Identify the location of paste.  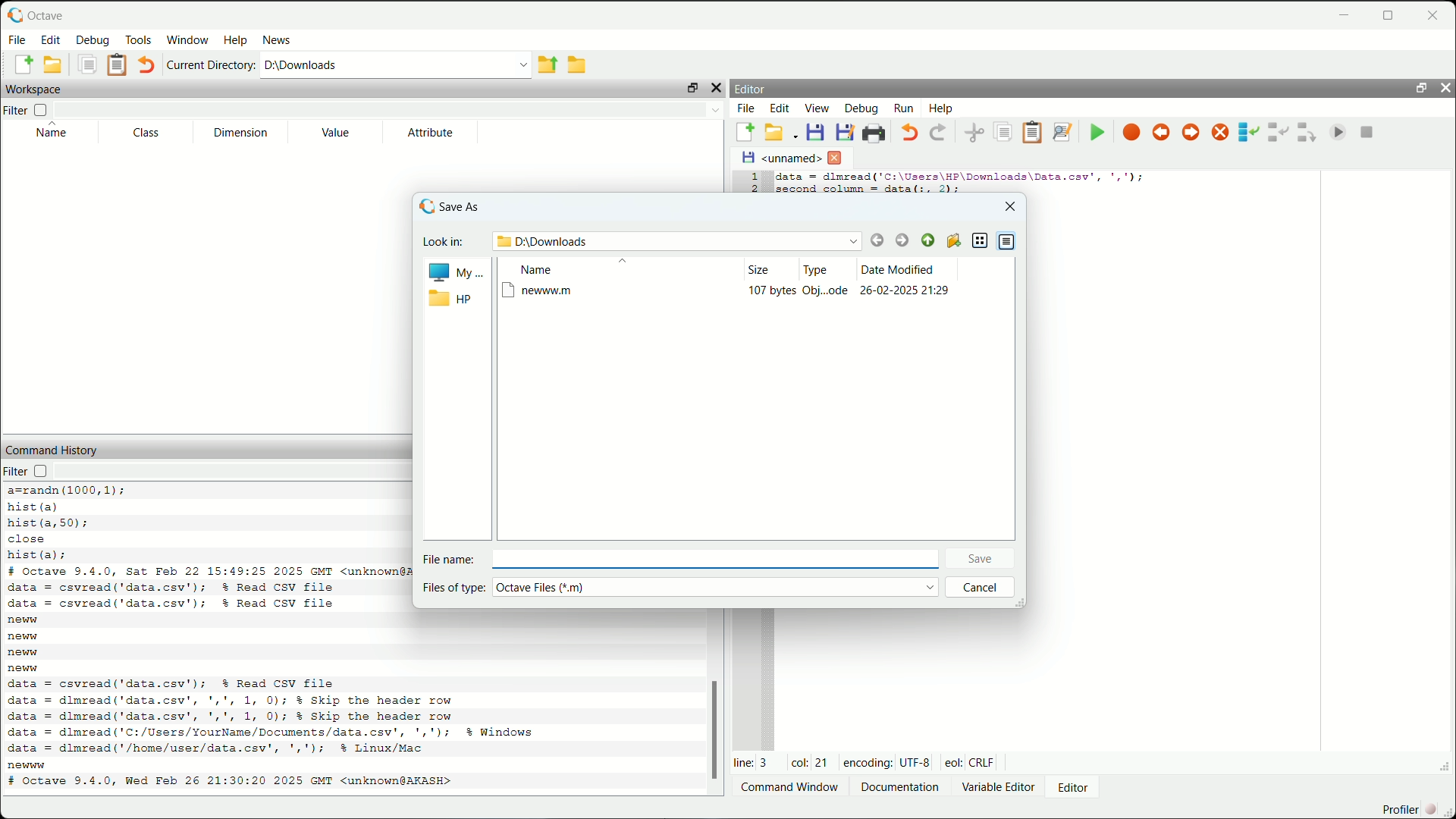
(118, 67).